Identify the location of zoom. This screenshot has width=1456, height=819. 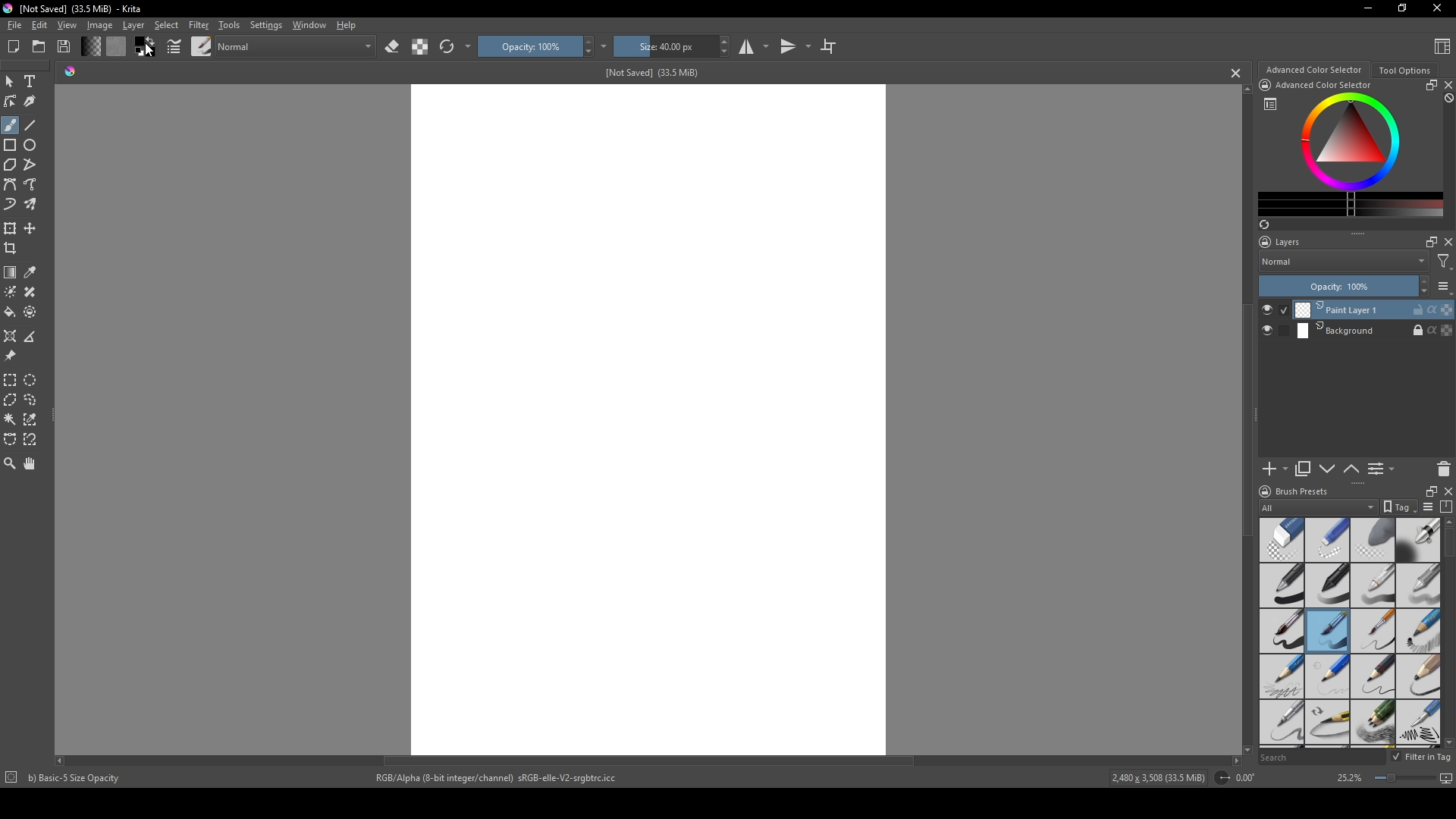
(10, 463).